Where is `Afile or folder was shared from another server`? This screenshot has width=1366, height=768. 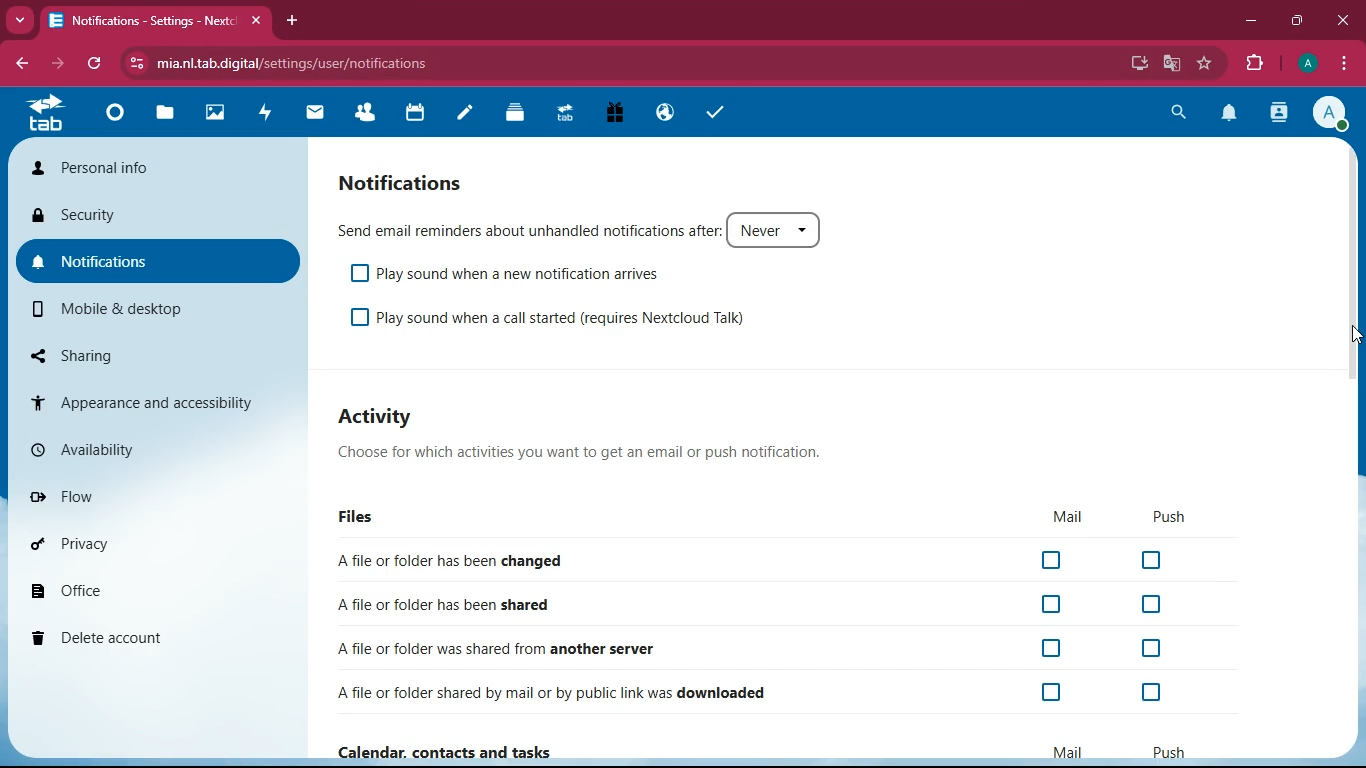
Afile or folder was shared from another server is located at coordinates (494, 647).